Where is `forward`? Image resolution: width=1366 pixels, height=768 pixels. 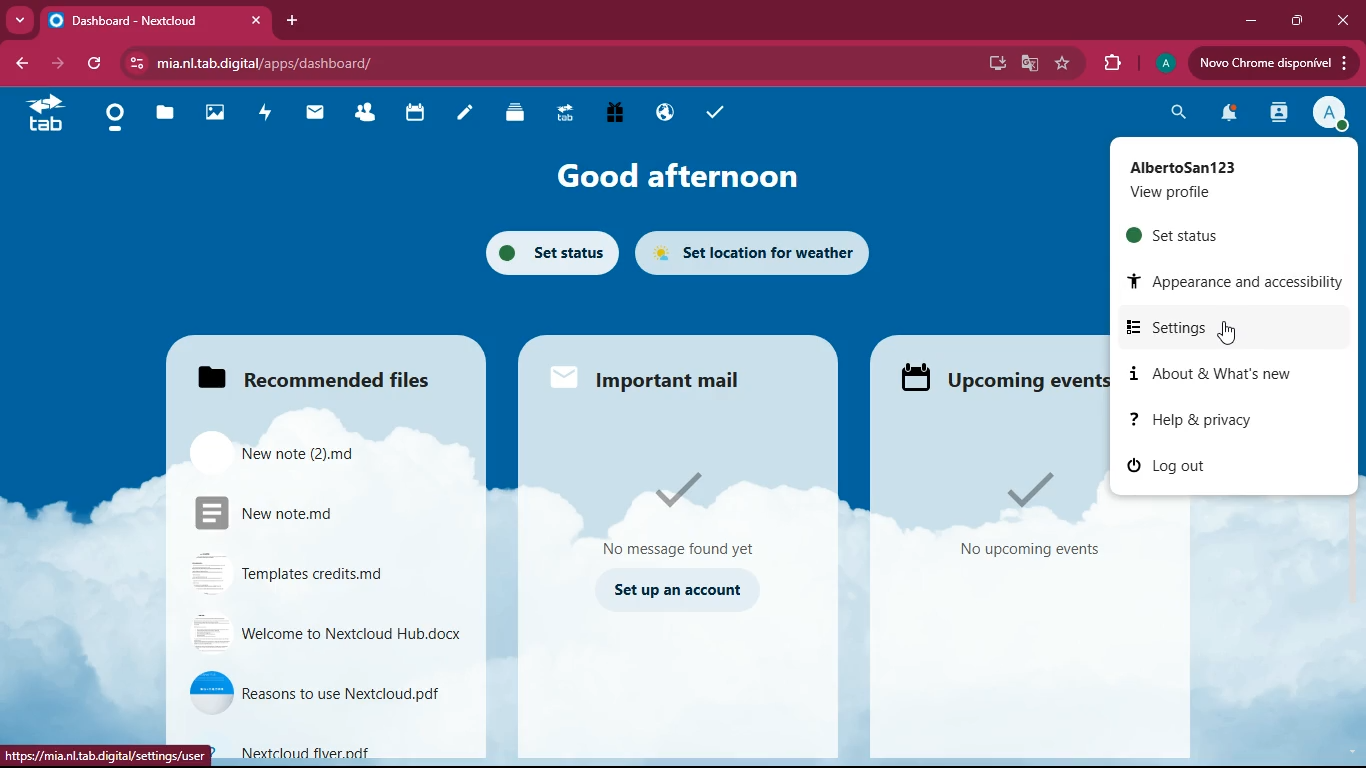 forward is located at coordinates (55, 65).